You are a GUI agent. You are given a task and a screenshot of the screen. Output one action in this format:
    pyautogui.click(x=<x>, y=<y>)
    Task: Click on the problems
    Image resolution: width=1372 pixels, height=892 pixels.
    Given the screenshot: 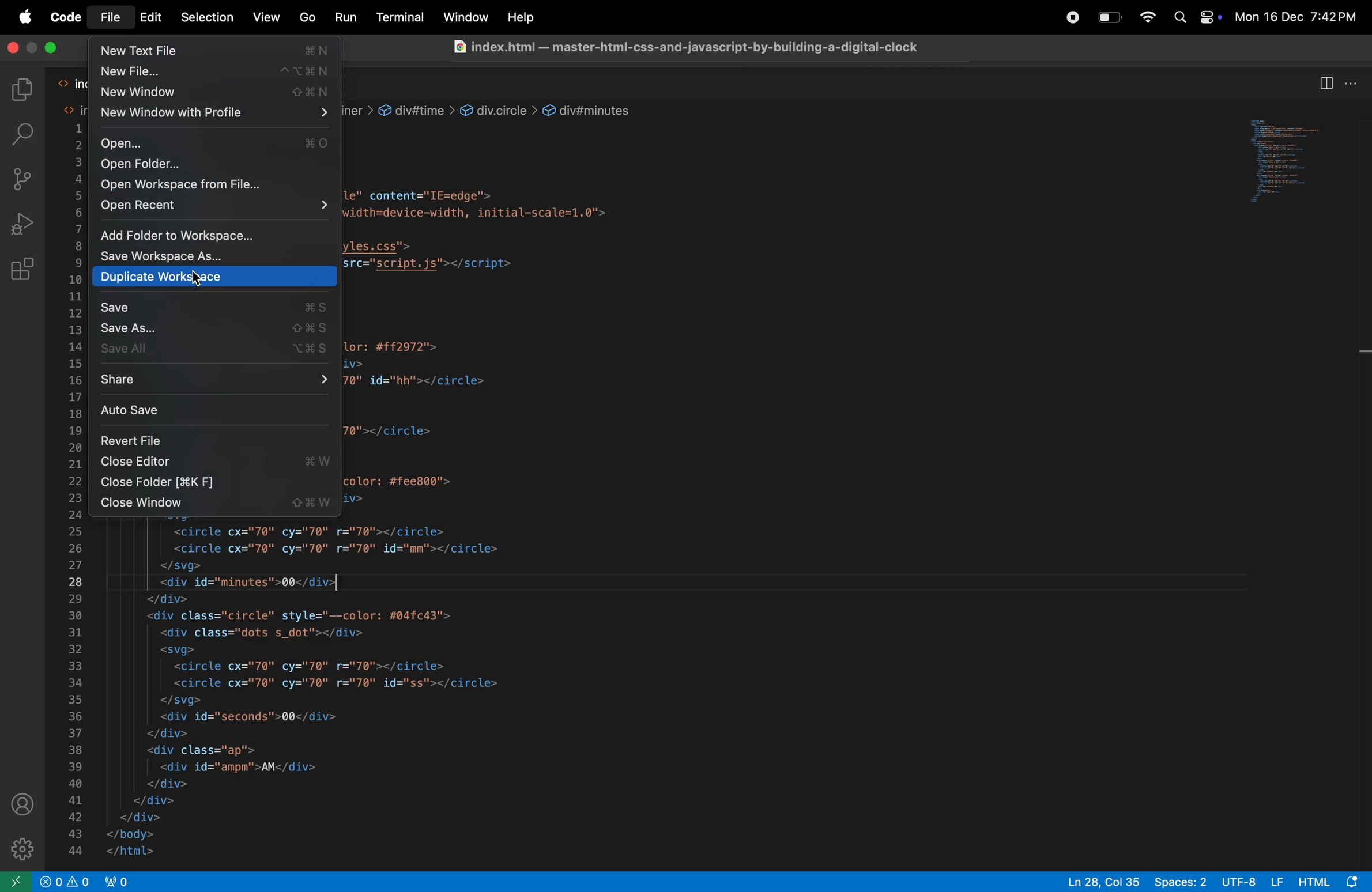 What is the action you would take?
    pyautogui.click(x=65, y=882)
    